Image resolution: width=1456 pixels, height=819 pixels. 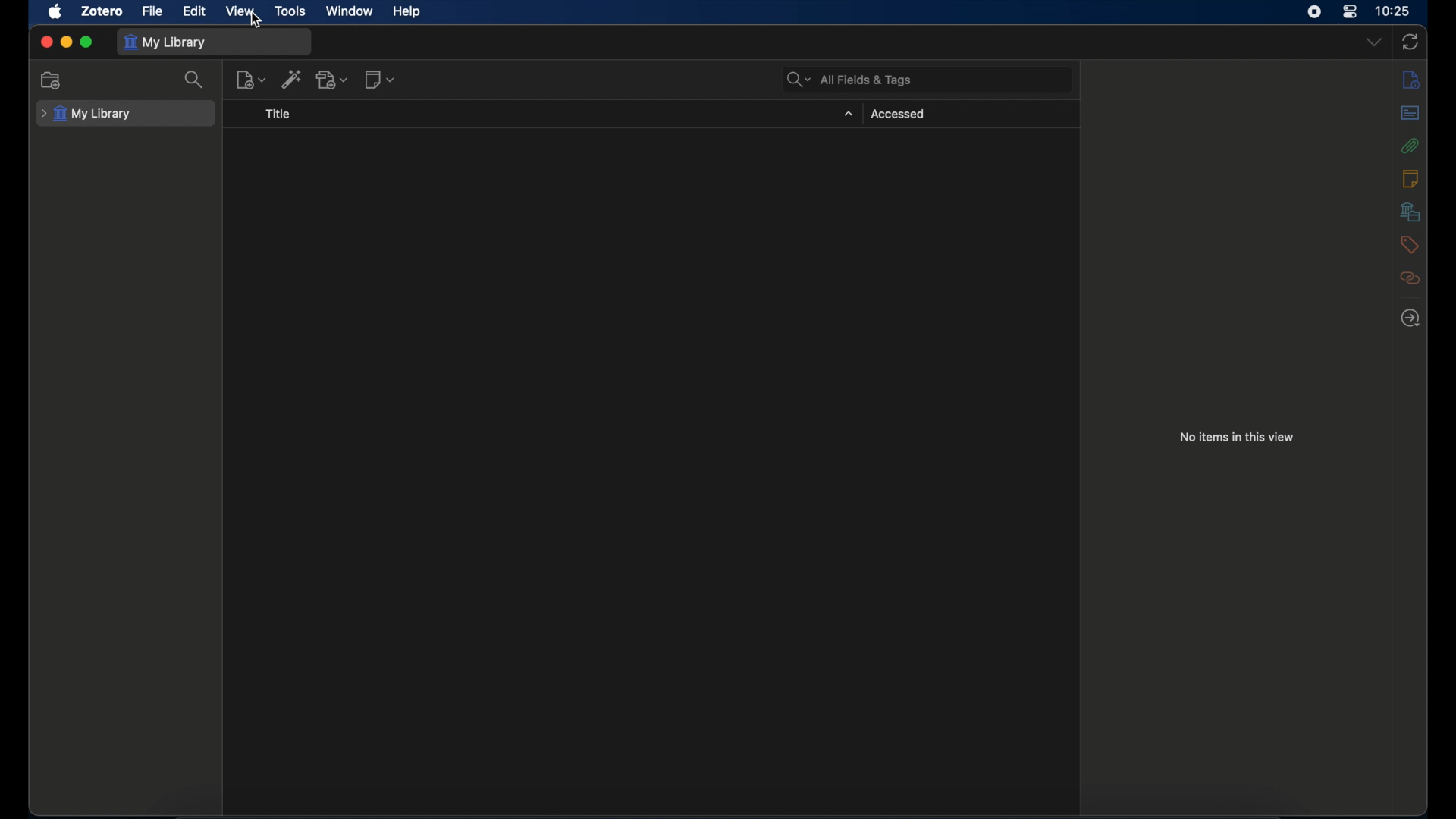 I want to click on attachments, so click(x=1410, y=146).